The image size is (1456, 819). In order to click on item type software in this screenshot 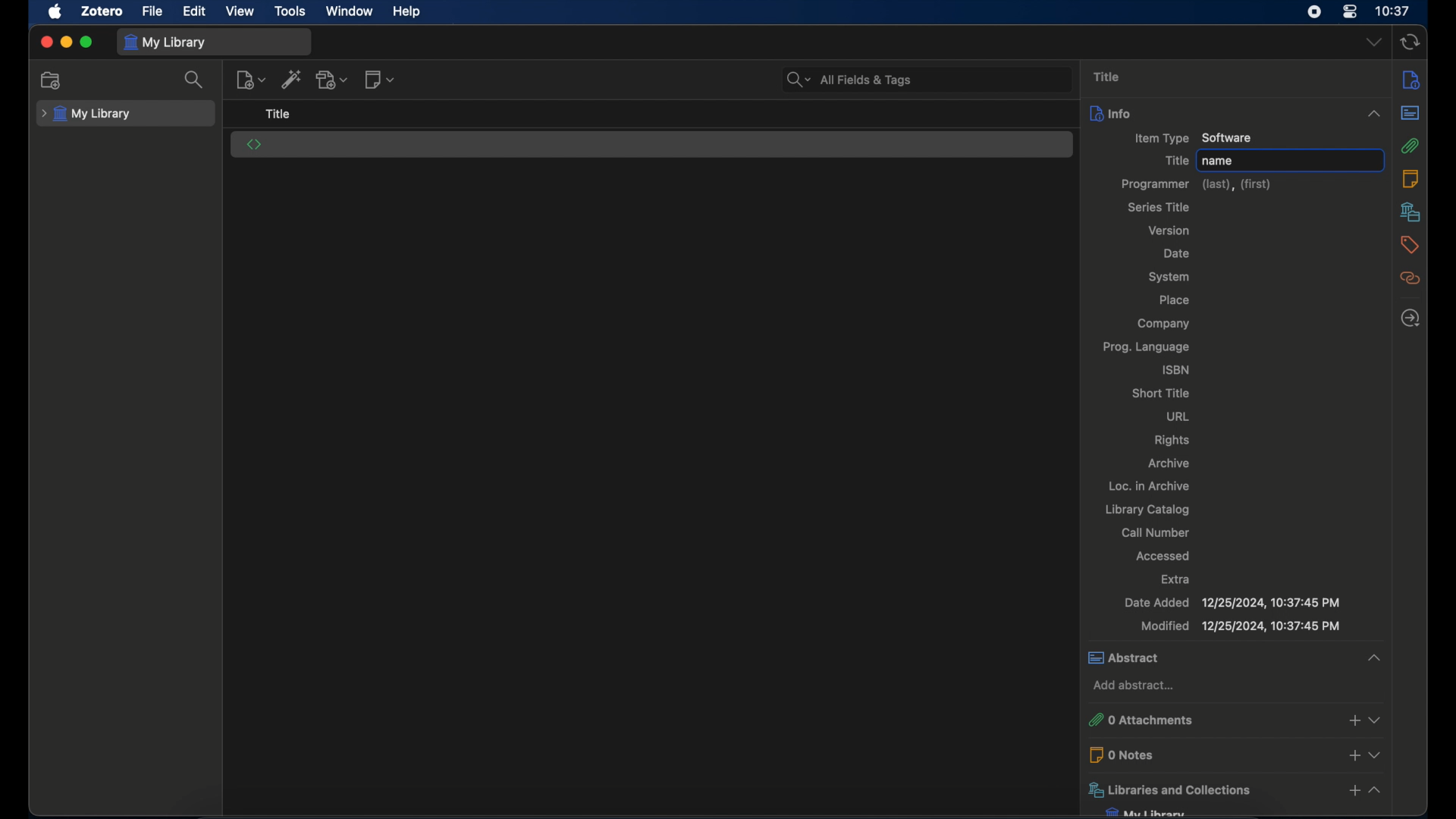, I will do `click(1191, 137)`.